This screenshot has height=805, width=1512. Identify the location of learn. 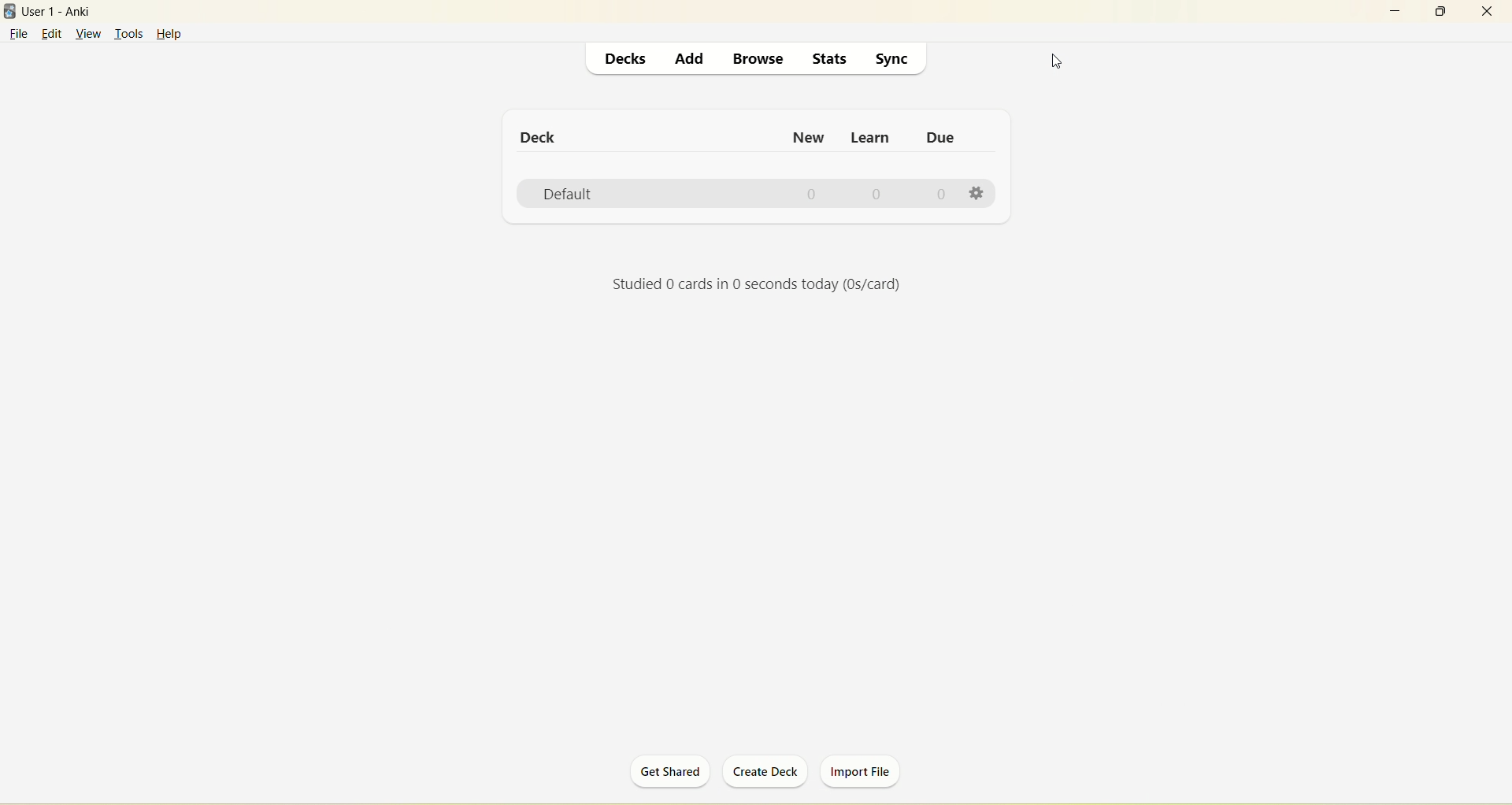
(872, 139).